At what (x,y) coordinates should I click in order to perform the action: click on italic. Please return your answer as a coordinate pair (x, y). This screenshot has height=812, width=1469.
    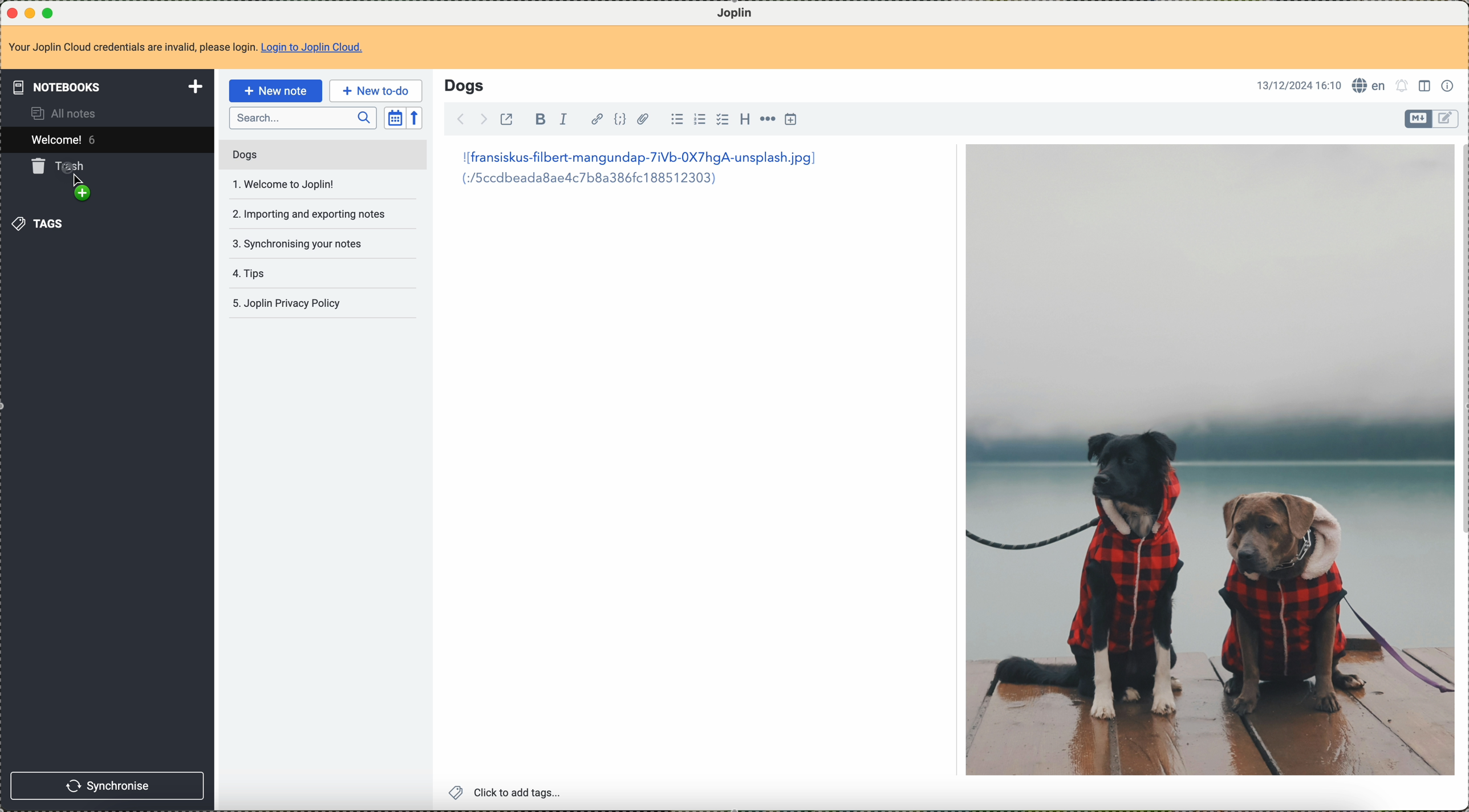
    Looking at the image, I should click on (563, 120).